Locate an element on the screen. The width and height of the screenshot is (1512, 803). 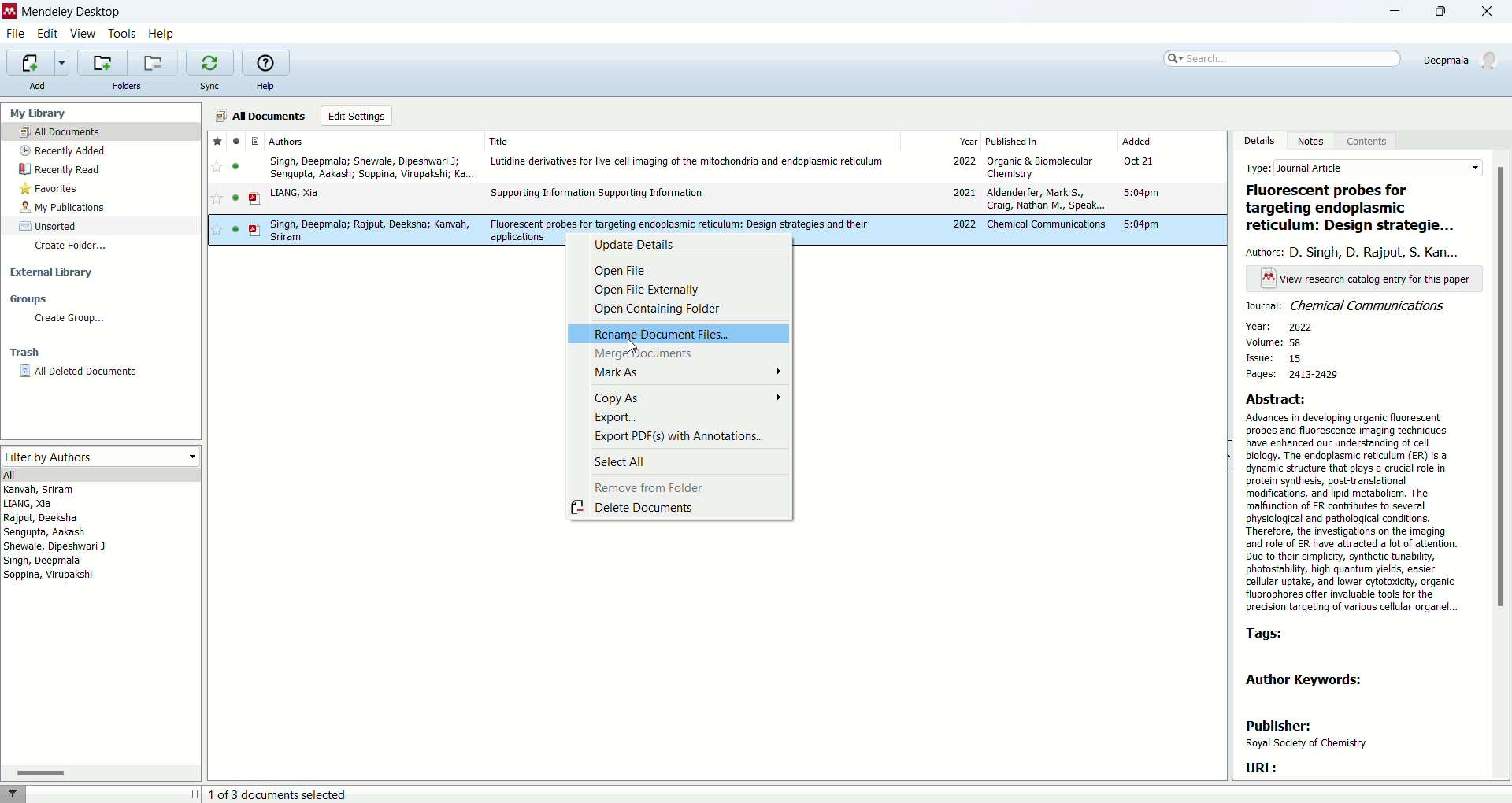
all deleted documents is located at coordinates (79, 371).